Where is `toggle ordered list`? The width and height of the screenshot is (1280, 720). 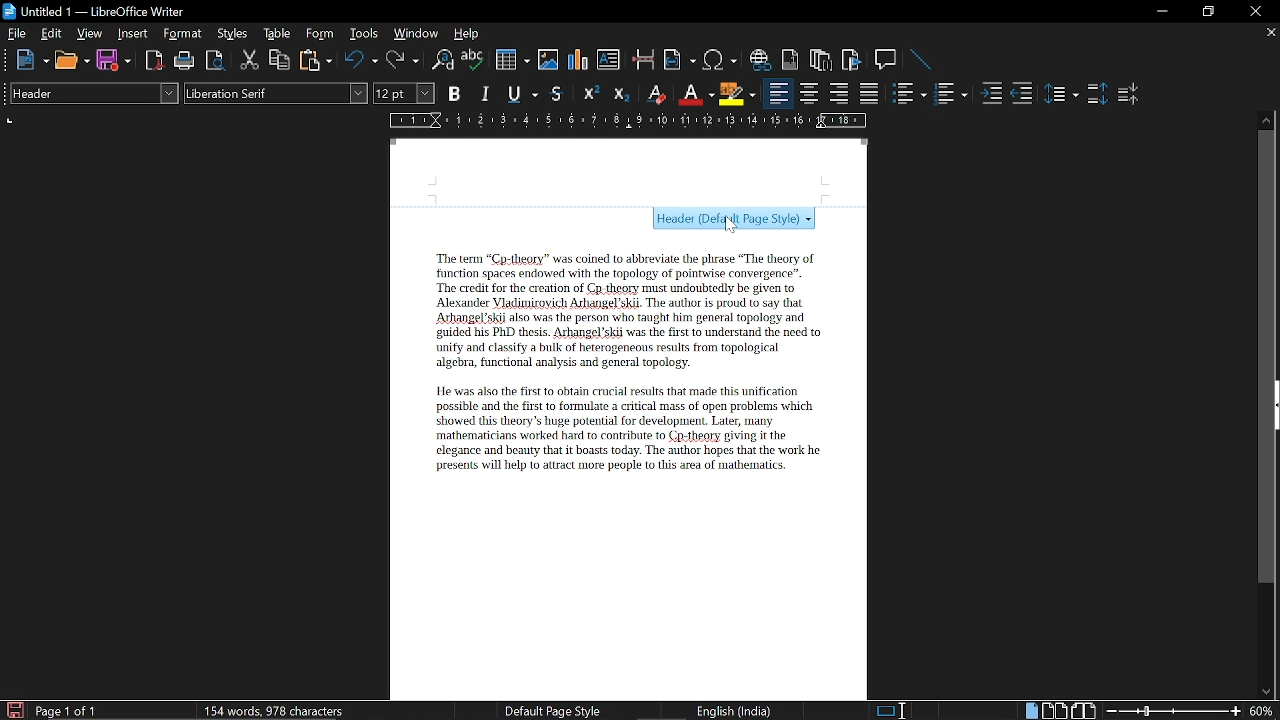
toggle ordered list is located at coordinates (909, 94).